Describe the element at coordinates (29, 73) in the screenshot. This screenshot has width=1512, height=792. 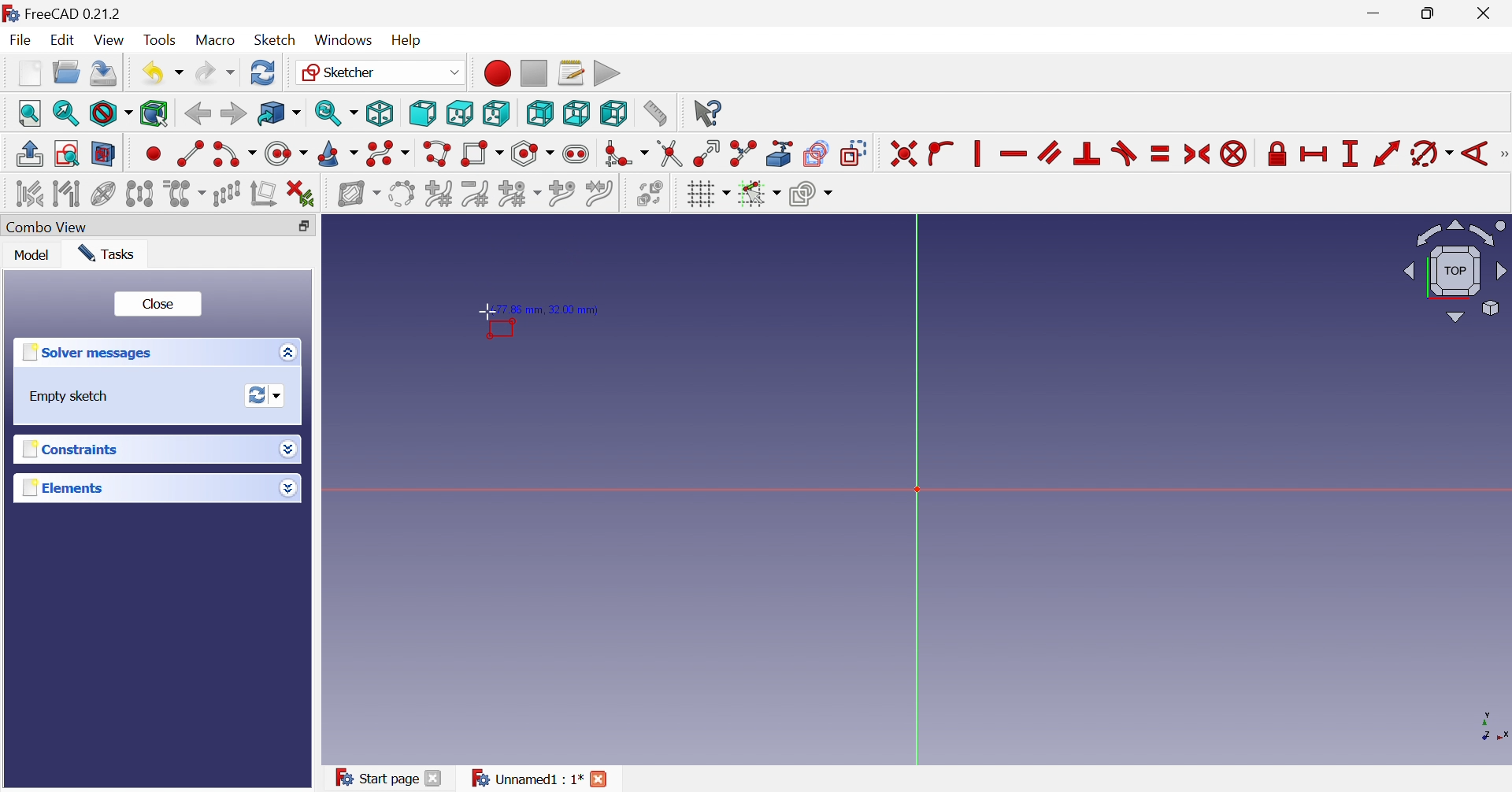
I see `New` at that location.